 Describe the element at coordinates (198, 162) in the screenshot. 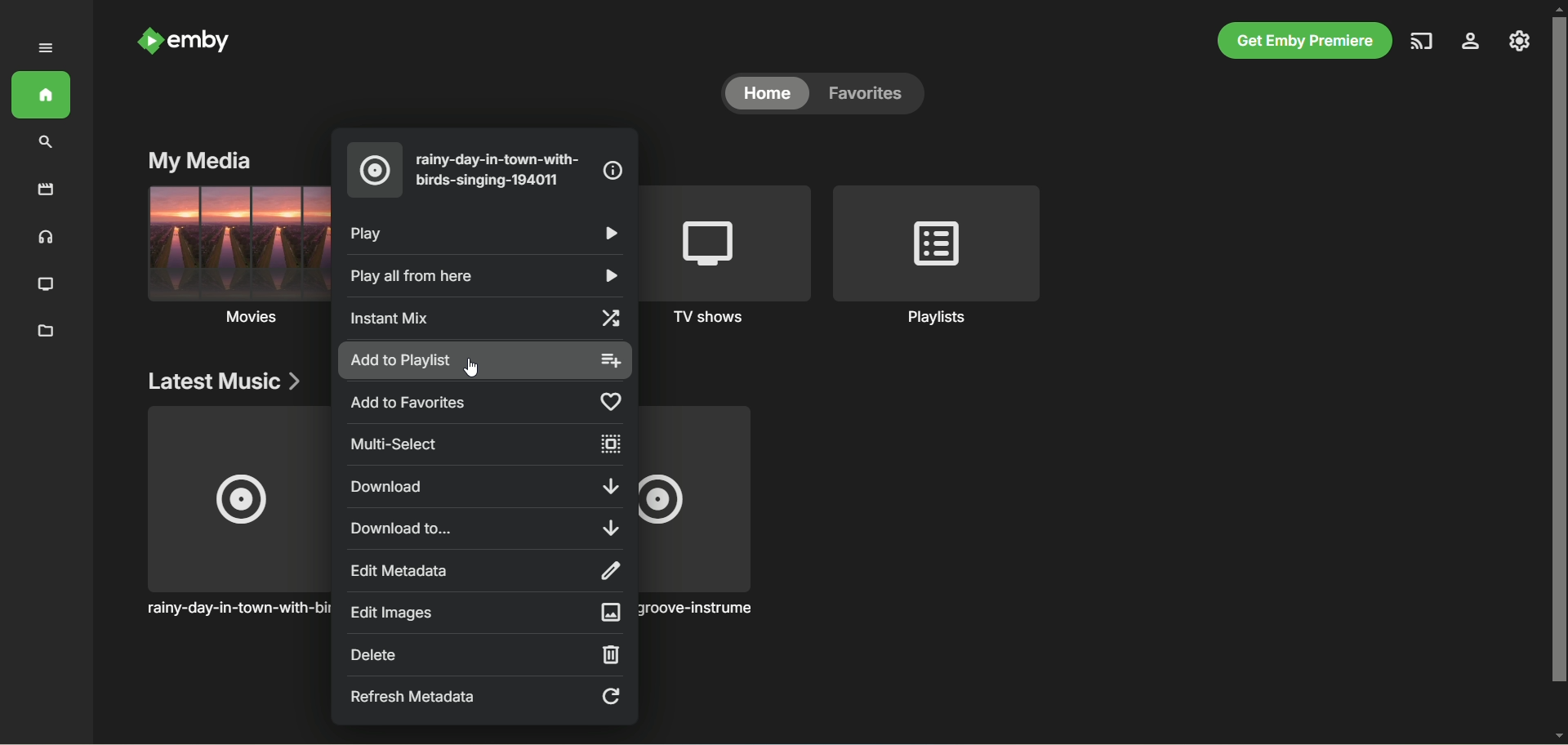

I see `my media` at that location.